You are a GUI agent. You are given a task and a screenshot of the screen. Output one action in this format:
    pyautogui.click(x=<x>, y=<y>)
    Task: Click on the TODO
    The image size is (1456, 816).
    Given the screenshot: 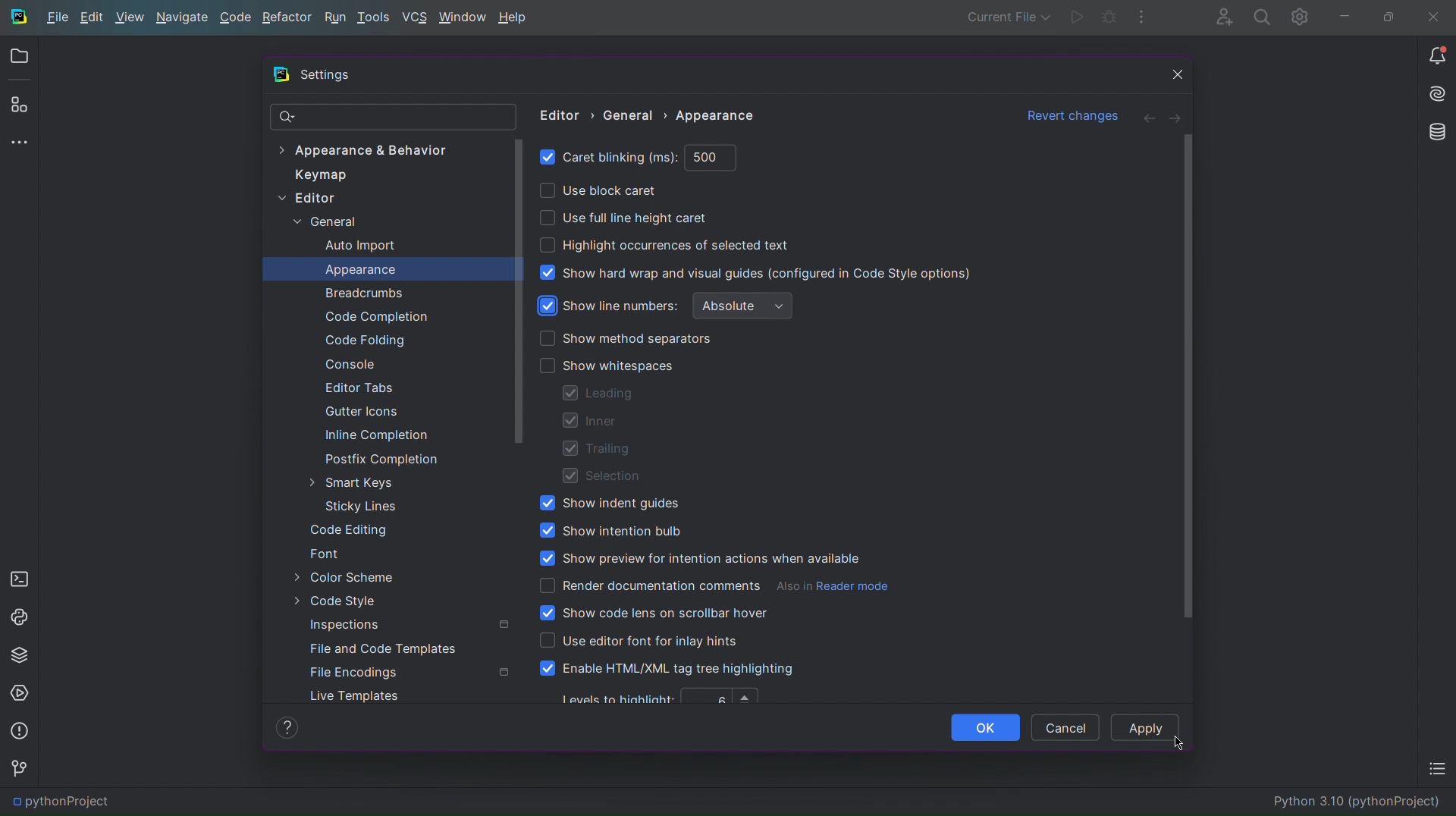 What is the action you would take?
    pyautogui.click(x=1436, y=771)
    